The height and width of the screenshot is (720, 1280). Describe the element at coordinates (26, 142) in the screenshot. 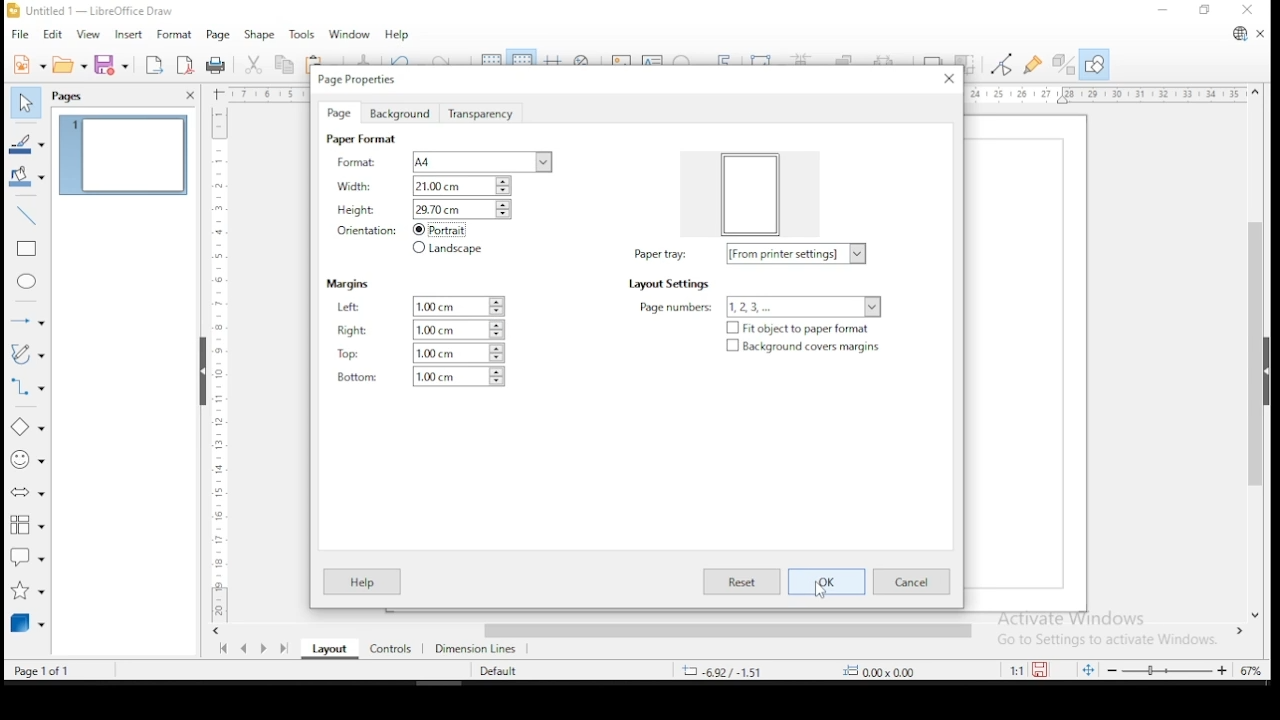

I see `line color` at that location.